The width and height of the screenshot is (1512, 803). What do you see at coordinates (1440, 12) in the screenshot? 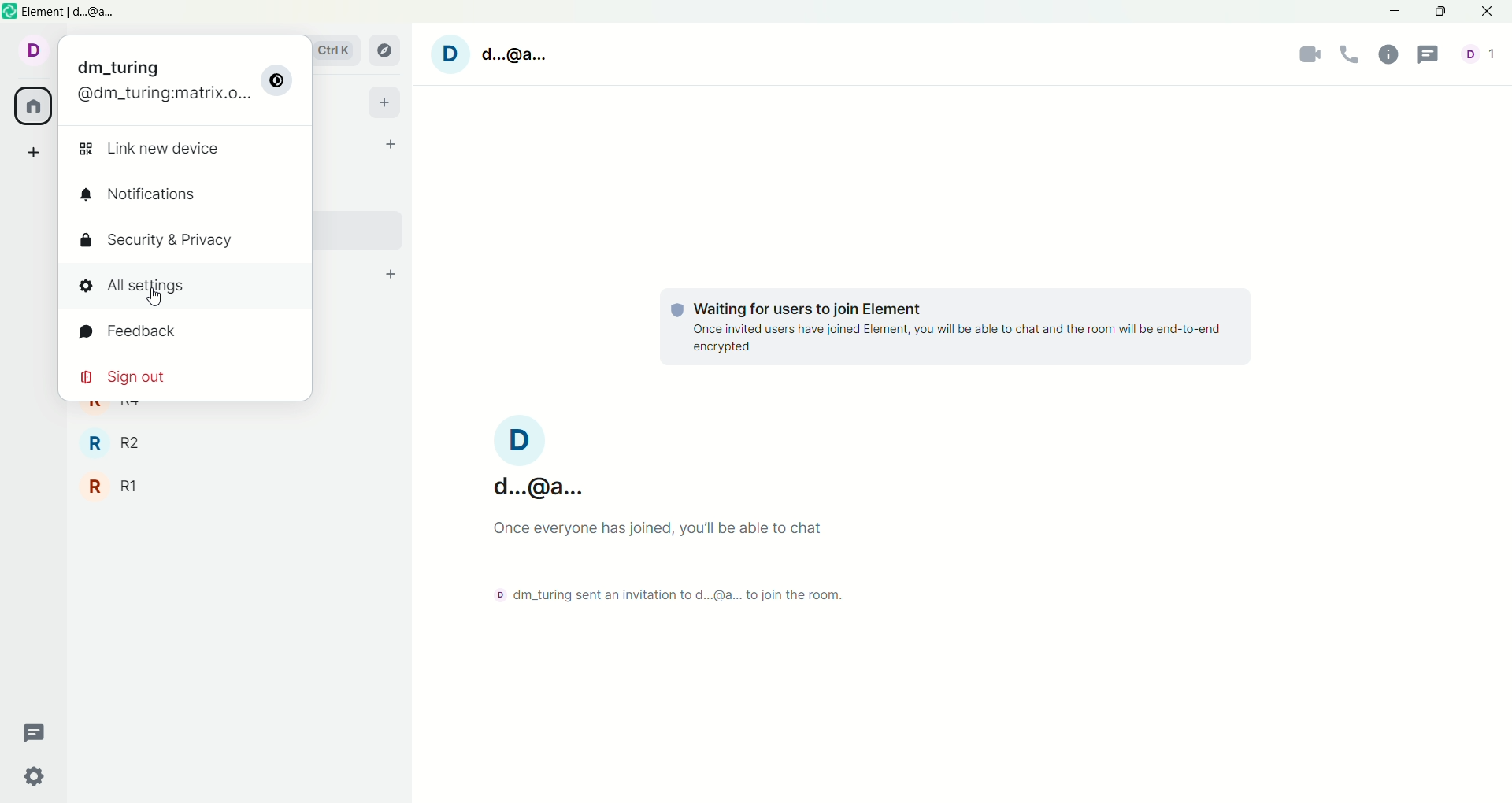
I see `maximize` at bounding box center [1440, 12].